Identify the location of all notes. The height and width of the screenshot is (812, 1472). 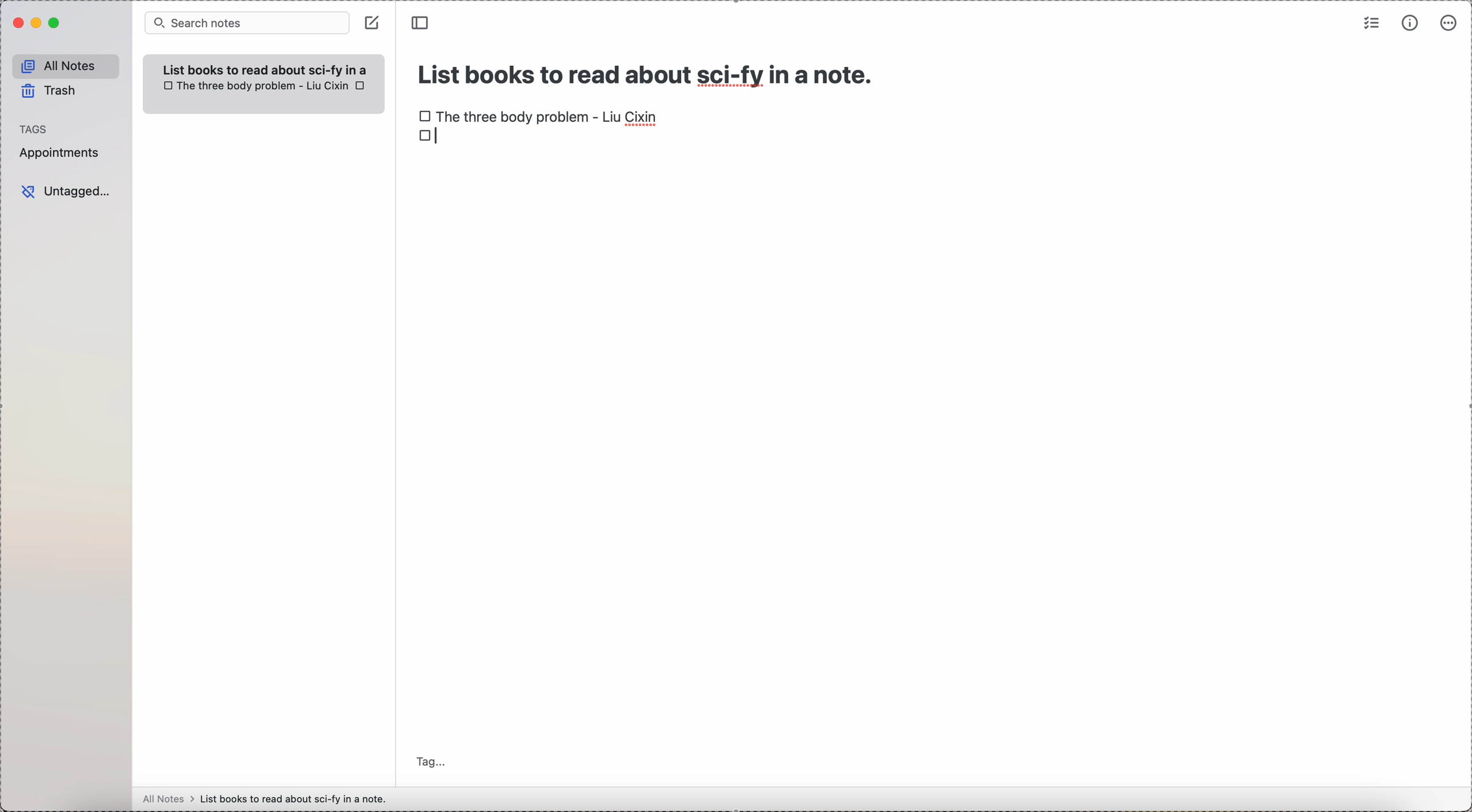
(63, 64).